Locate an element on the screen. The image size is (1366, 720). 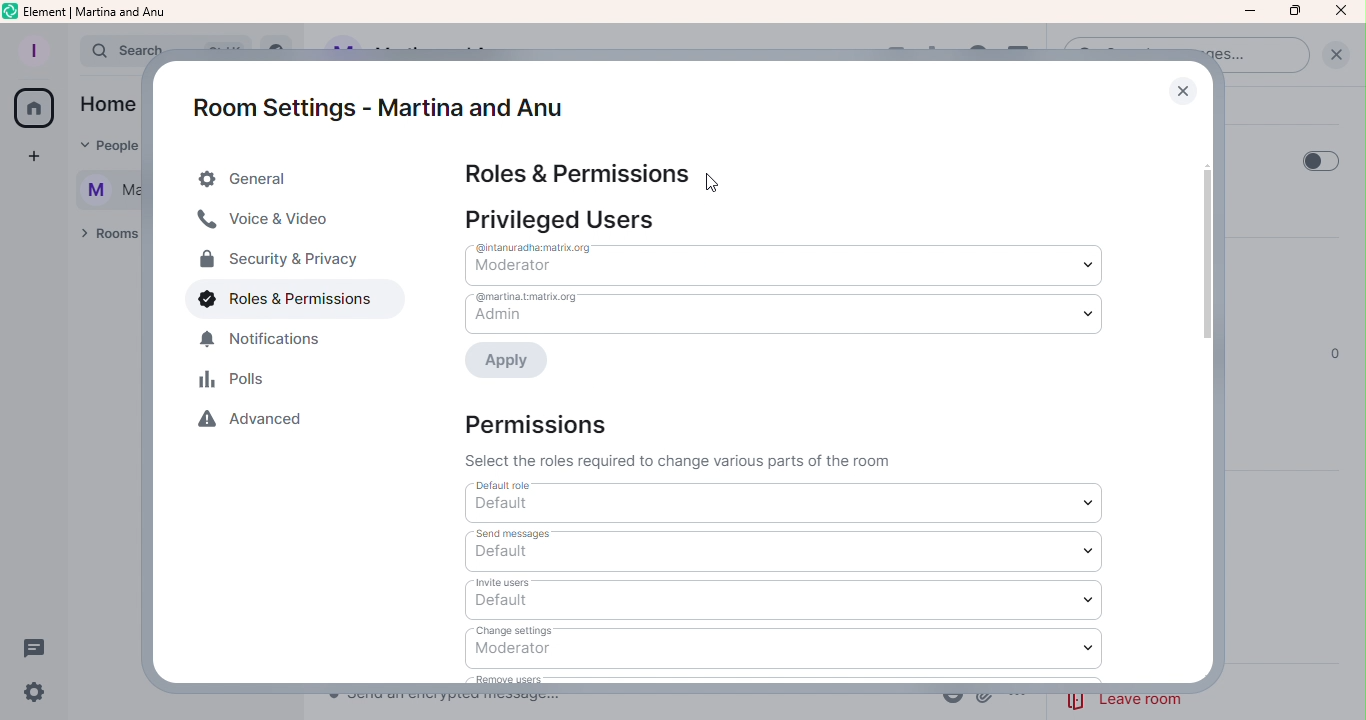
Notifications is located at coordinates (272, 344).